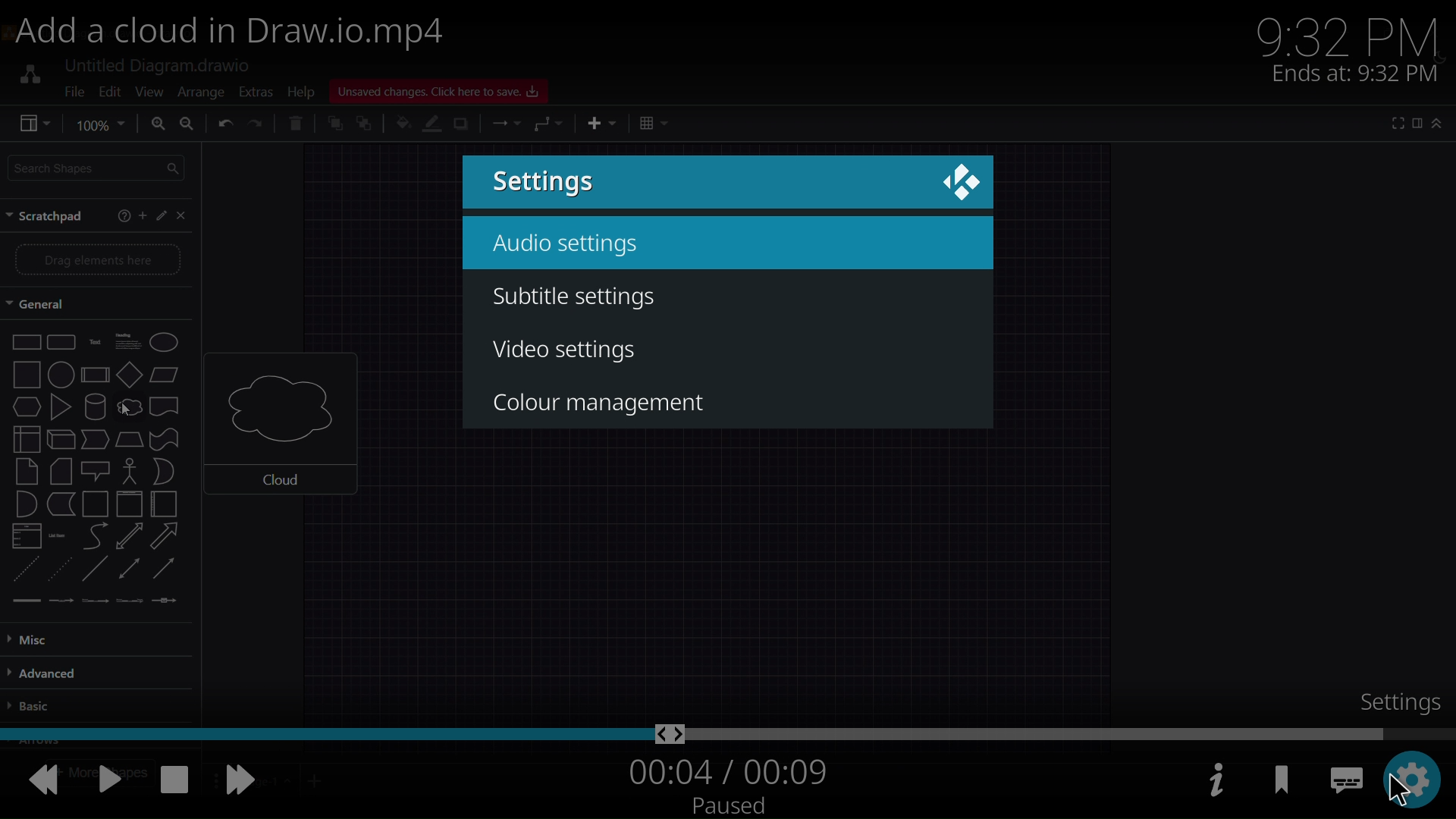  Describe the element at coordinates (725, 732) in the screenshot. I see `video string` at that location.